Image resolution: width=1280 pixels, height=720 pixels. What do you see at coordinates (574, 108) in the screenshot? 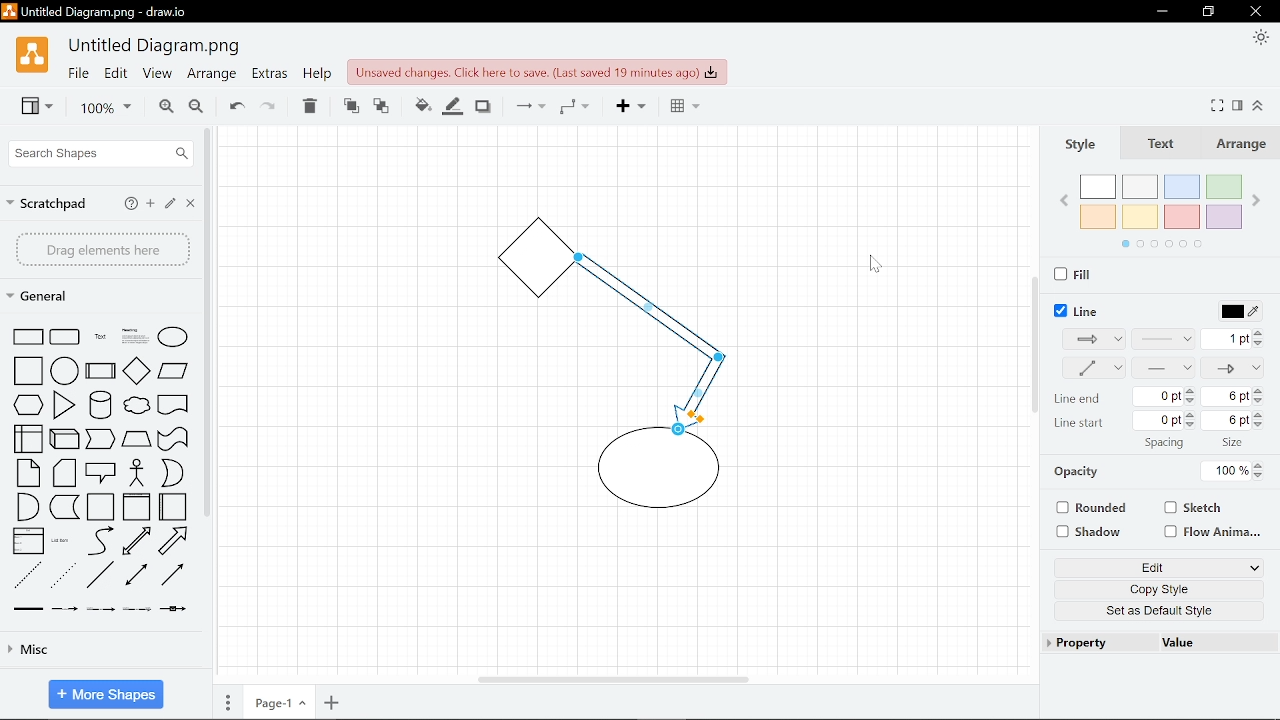
I see `Waypoints` at bounding box center [574, 108].